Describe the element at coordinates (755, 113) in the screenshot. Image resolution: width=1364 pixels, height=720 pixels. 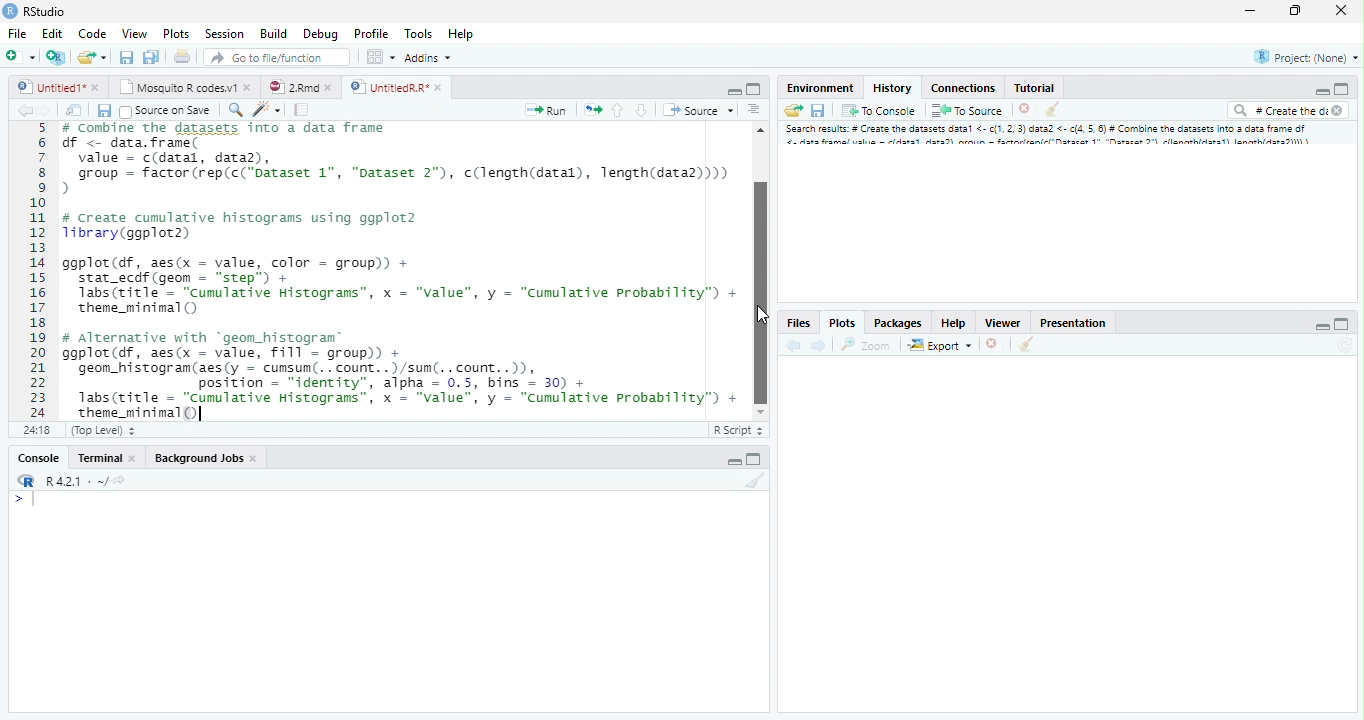
I see `Alignment` at that location.